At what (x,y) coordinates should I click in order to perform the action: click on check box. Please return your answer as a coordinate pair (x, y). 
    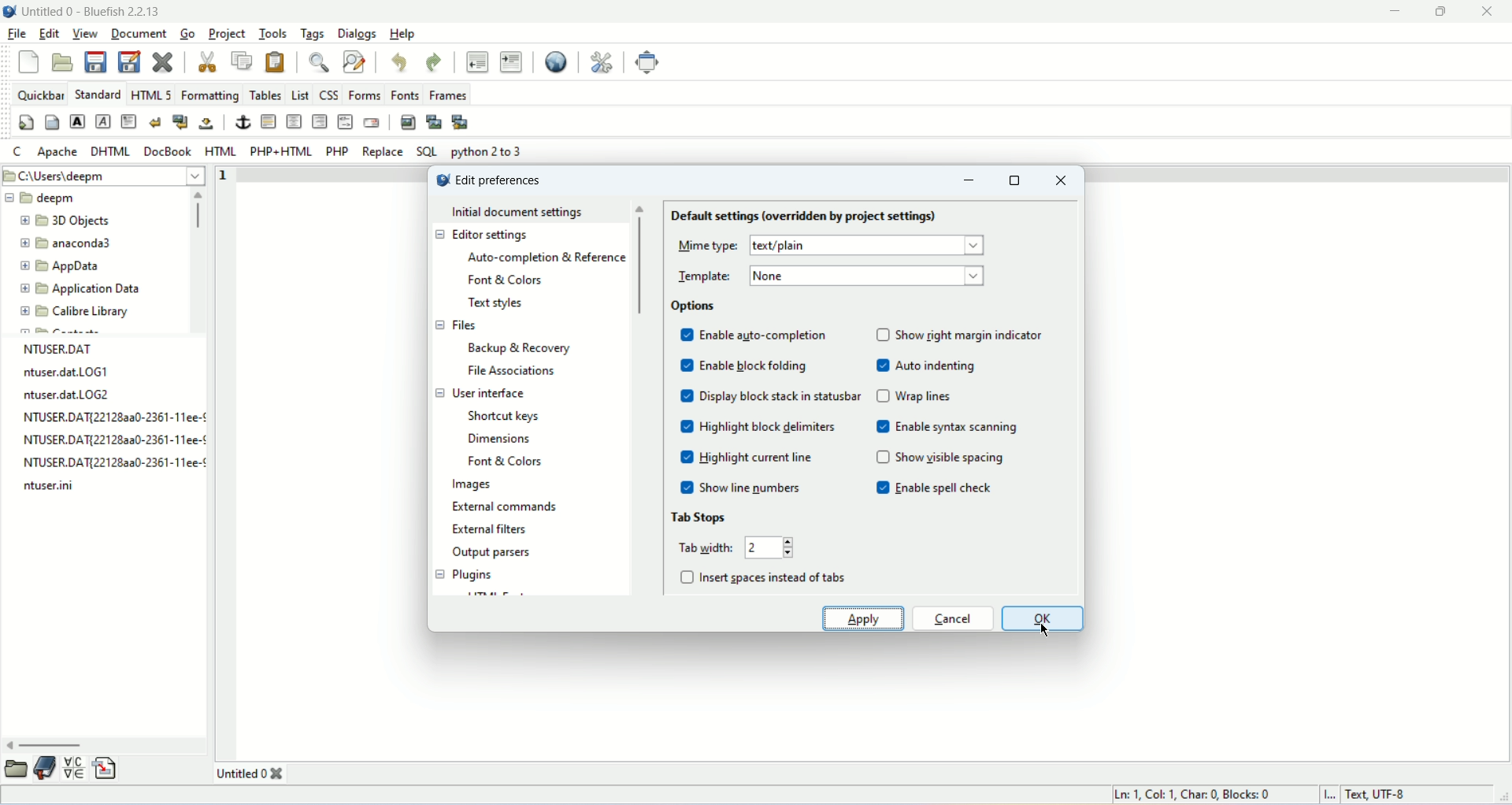
    Looking at the image, I should click on (880, 413).